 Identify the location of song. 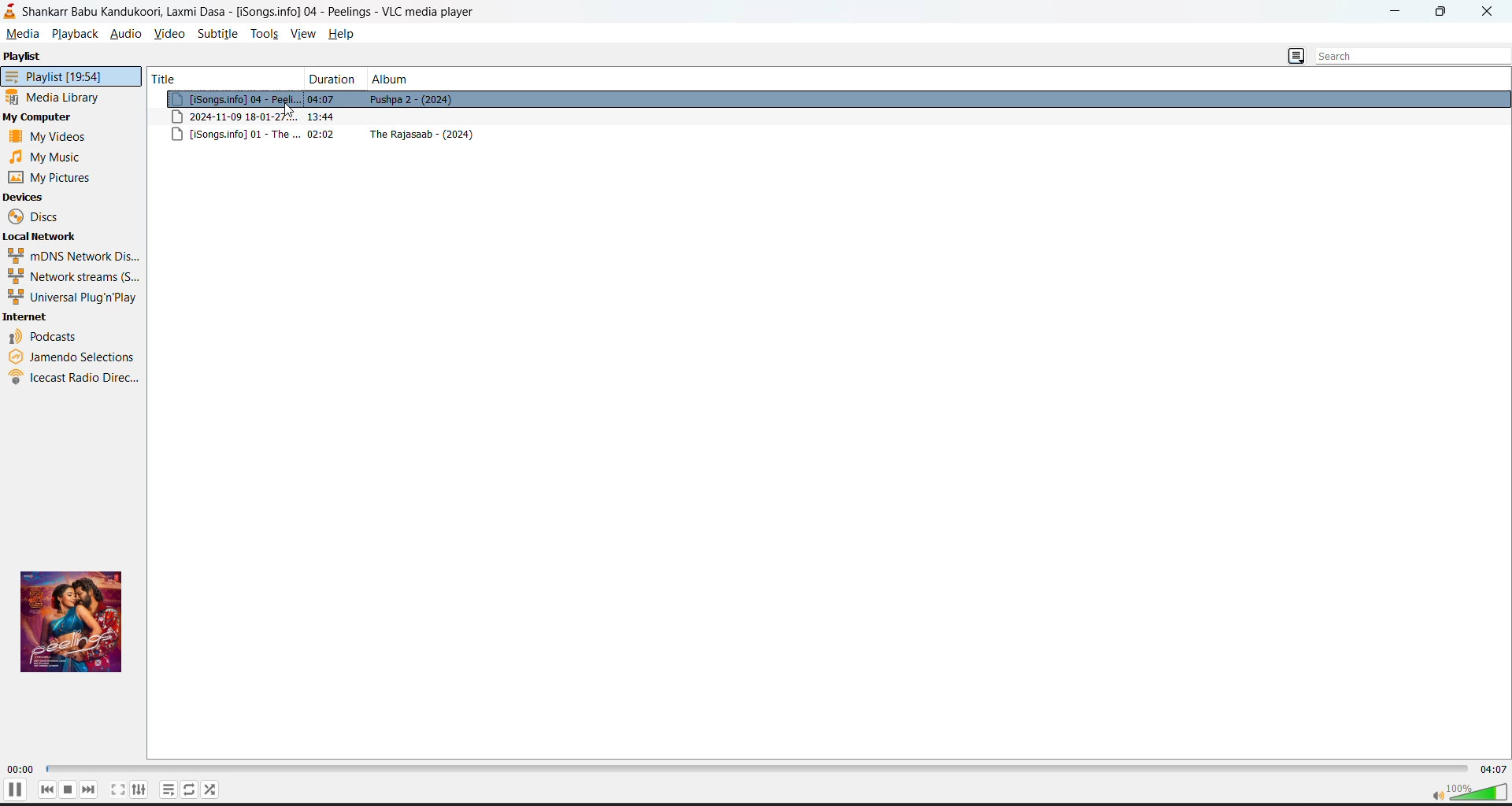
(831, 136).